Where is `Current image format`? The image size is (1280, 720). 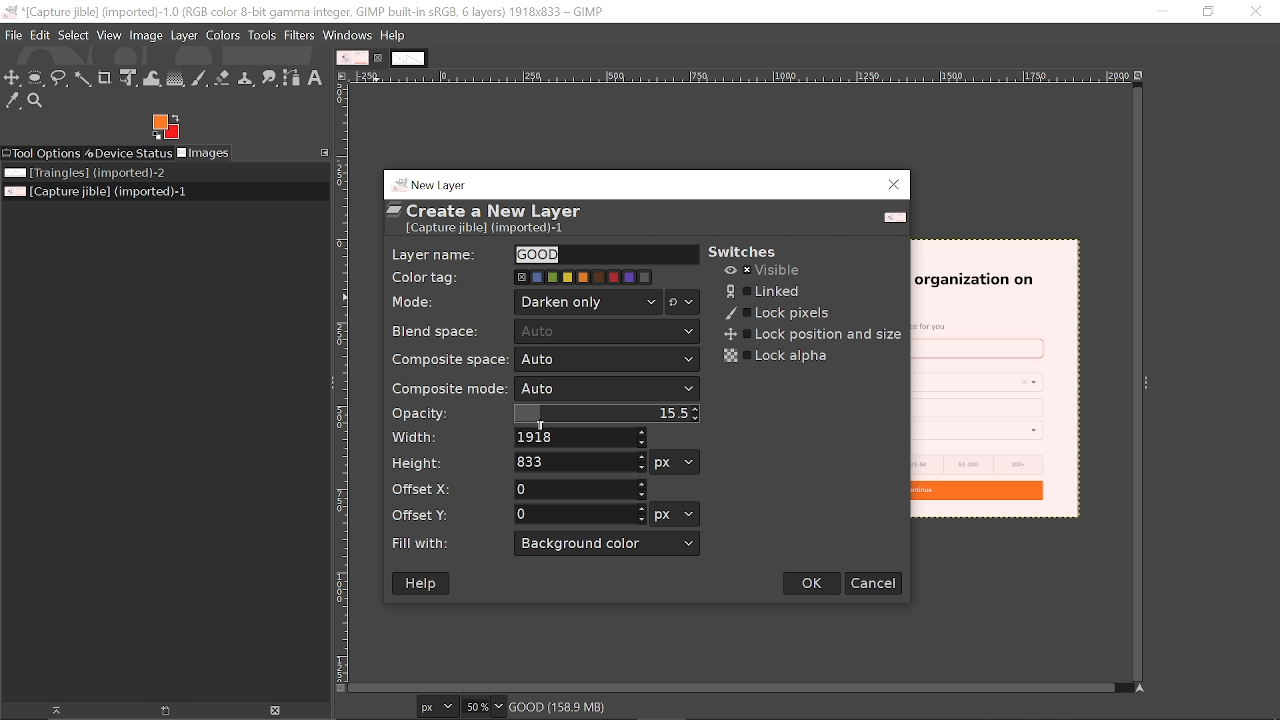 Current image format is located at coordinates (440, 708).